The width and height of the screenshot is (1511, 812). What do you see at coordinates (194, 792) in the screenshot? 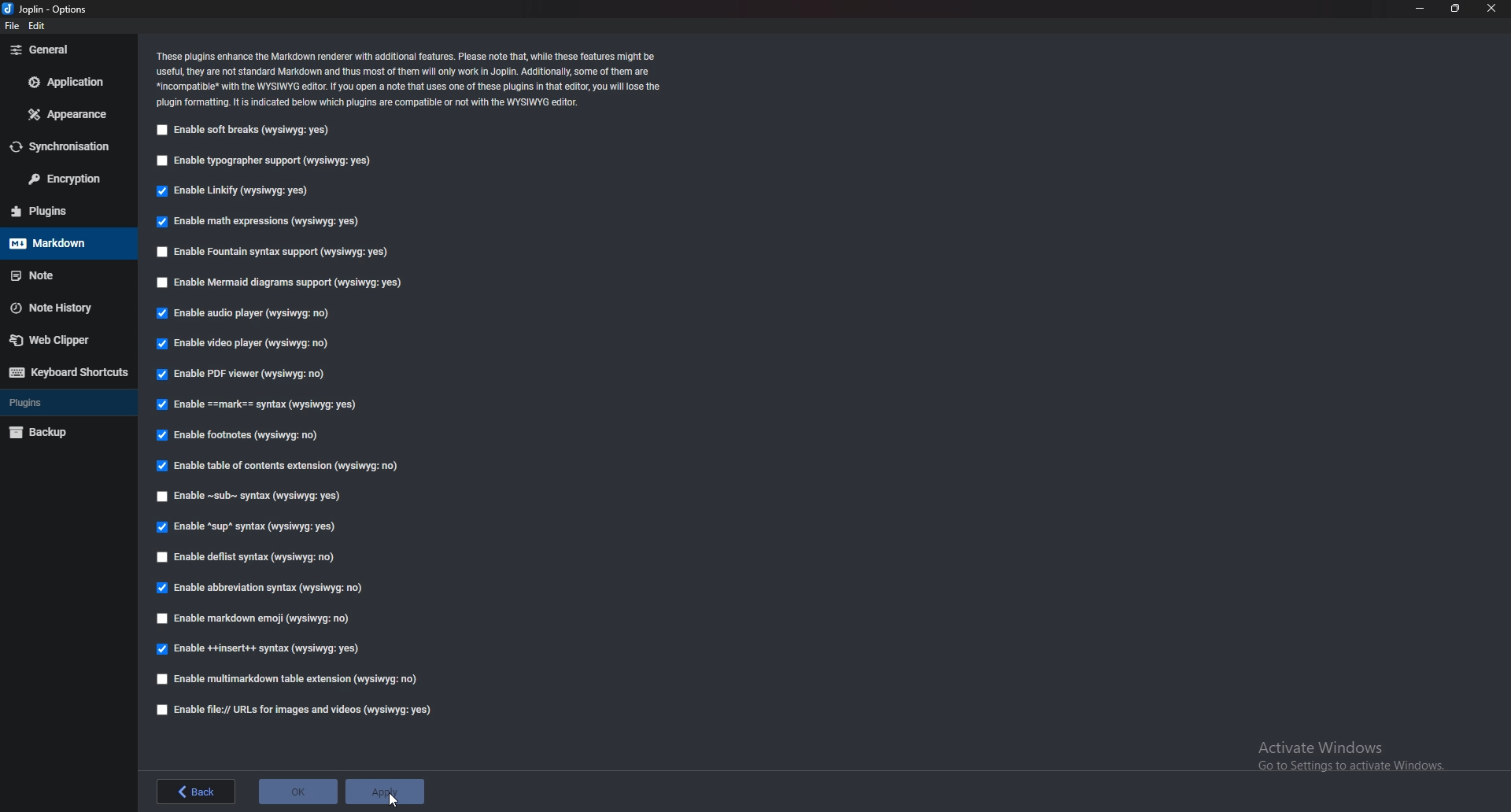
I see `back` at bounding box center [194, 792].